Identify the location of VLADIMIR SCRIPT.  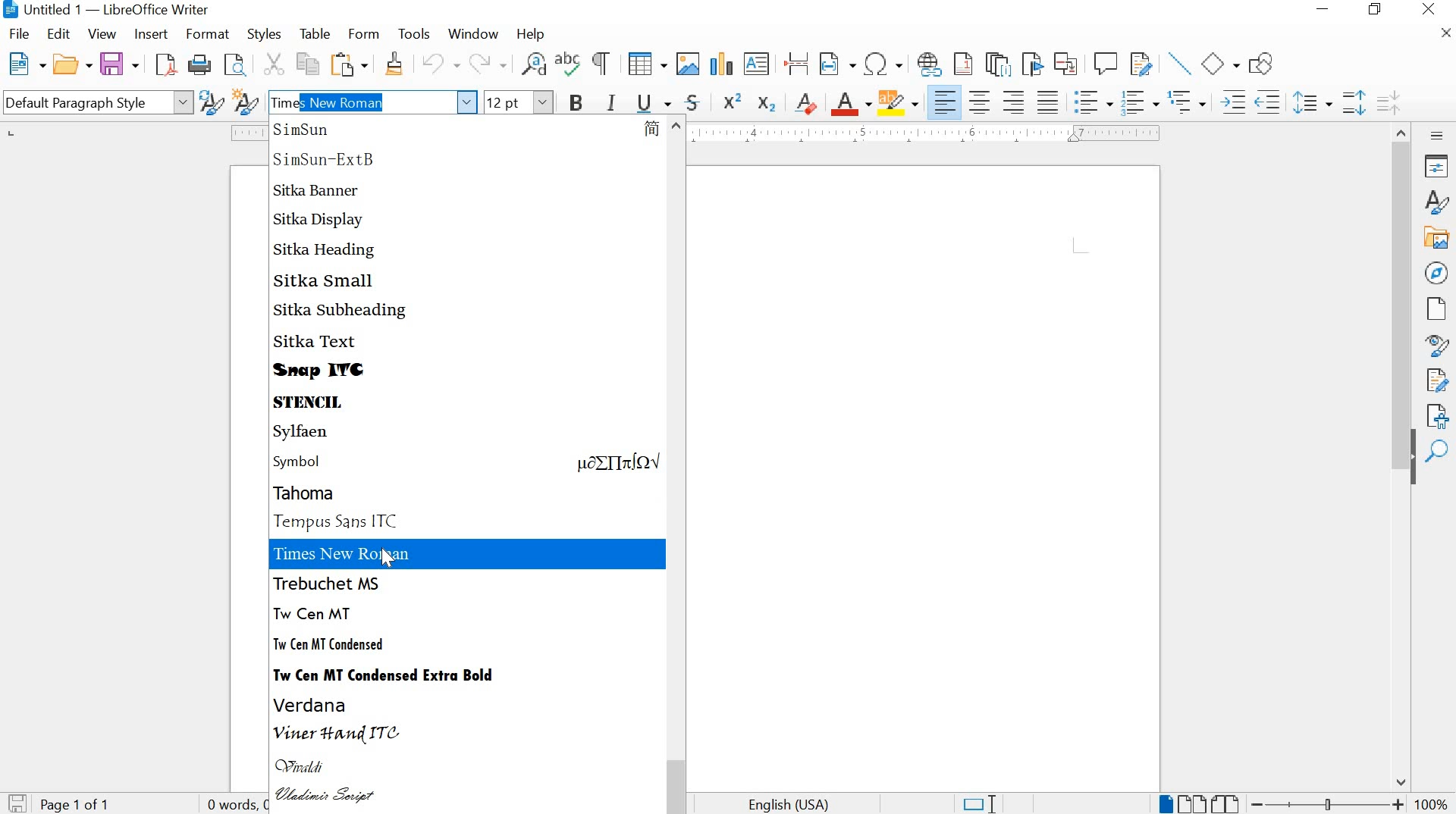
(326, 795).